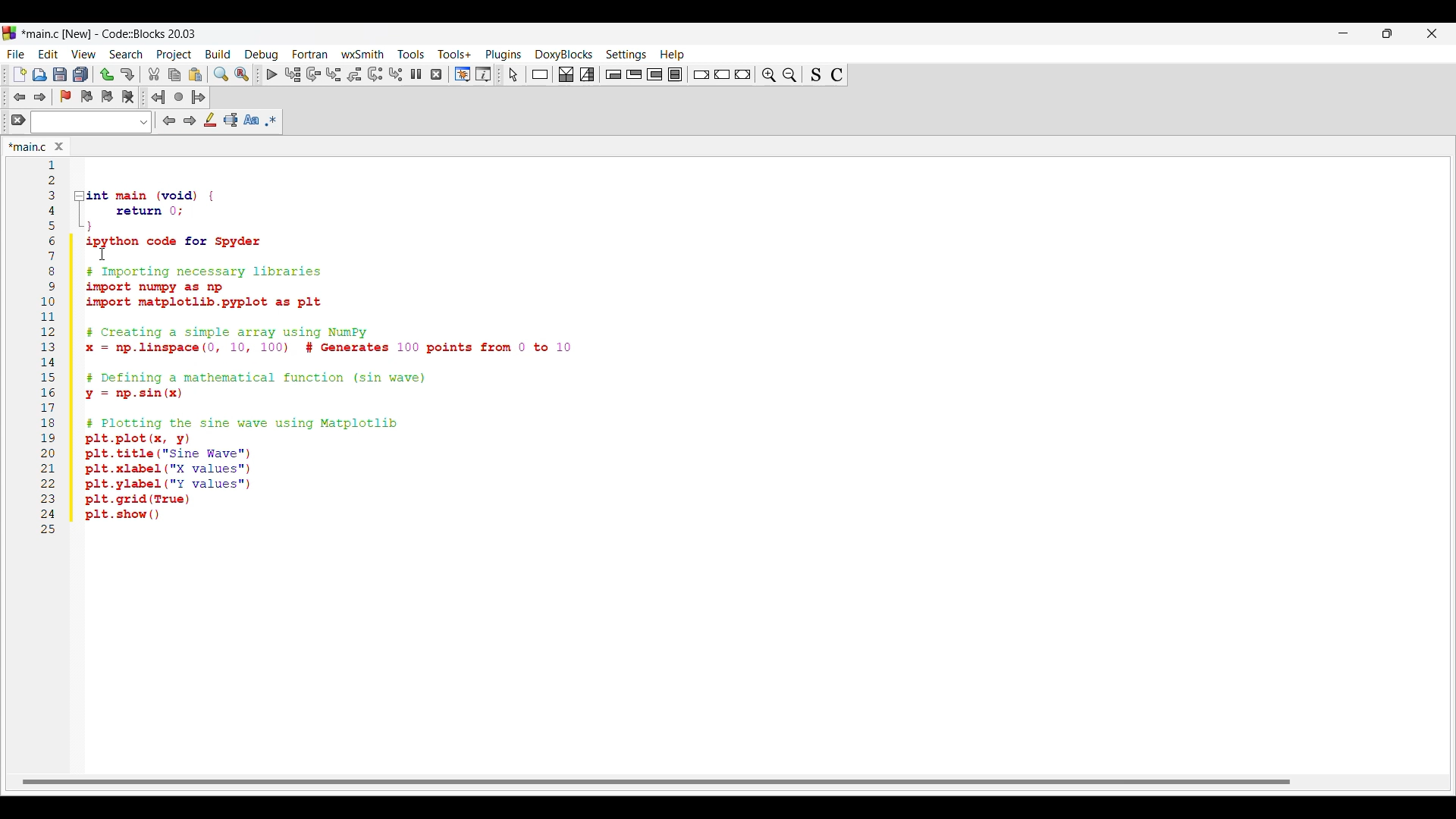 The width and height of the screenshot is (1456, 819). What do you see at coordinates (252, 120) in the screenshot?
I see `Match case` at bounding box center [252, 120].